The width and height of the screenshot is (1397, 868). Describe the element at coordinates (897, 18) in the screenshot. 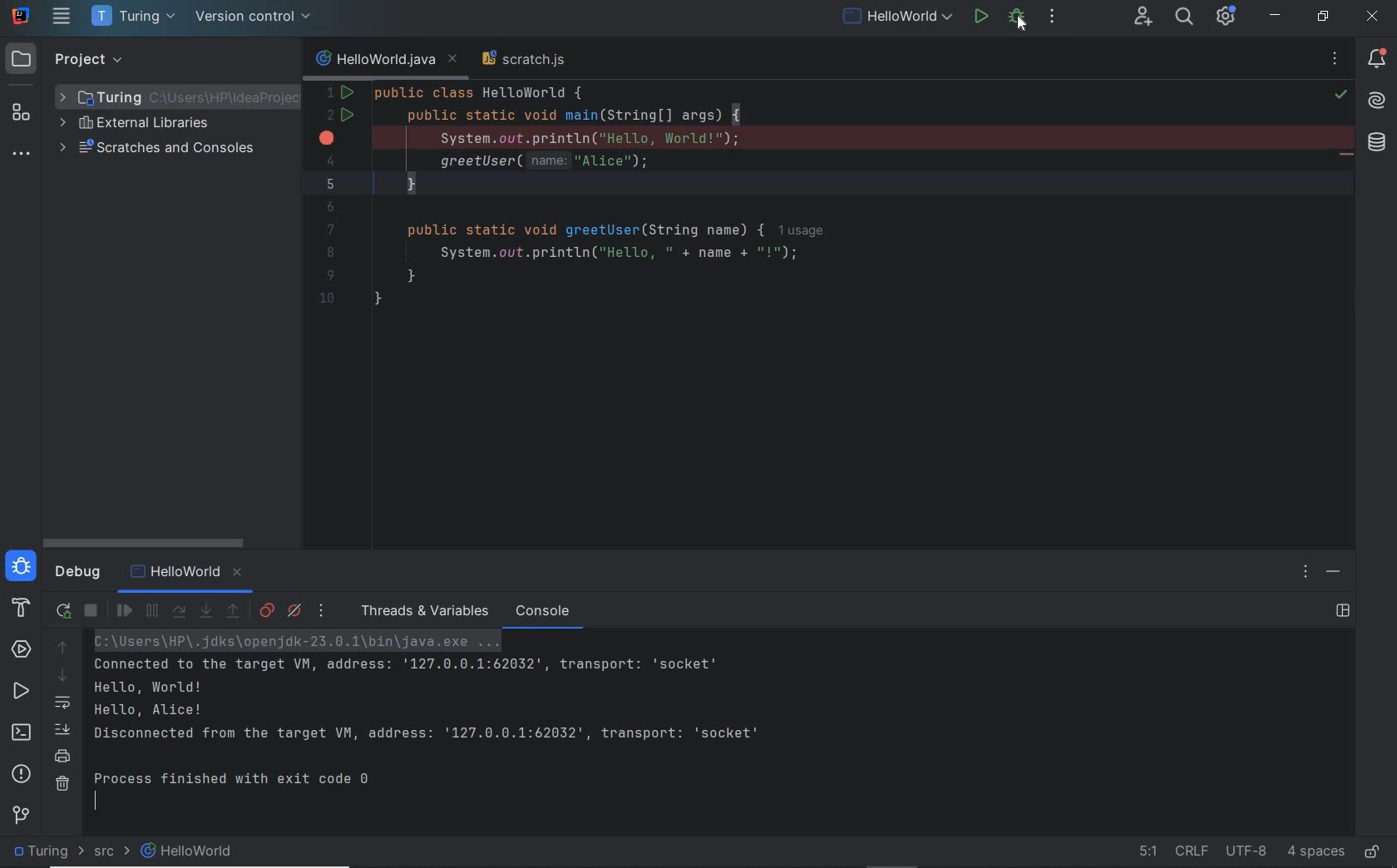

I see `file name` at that location.